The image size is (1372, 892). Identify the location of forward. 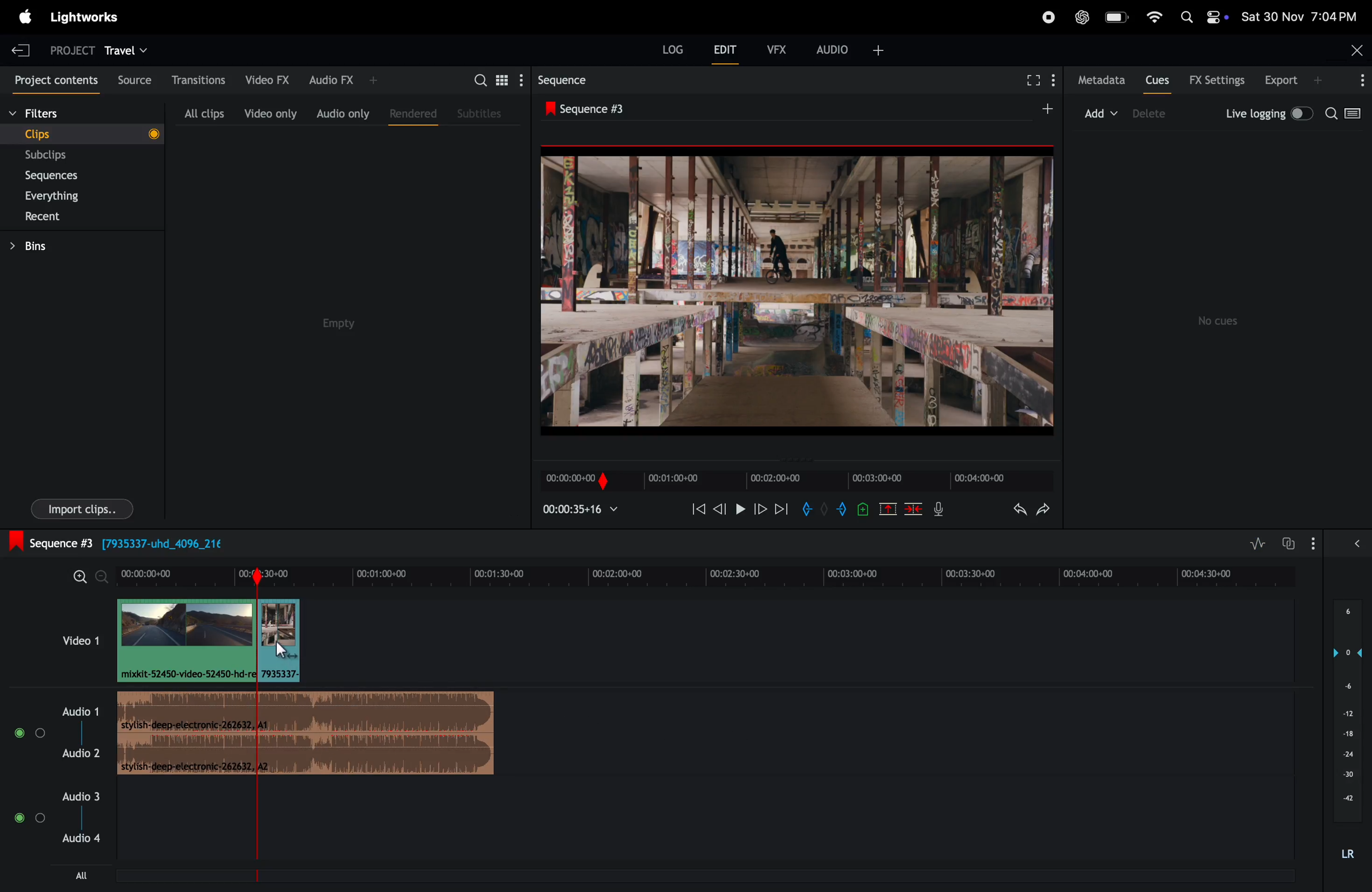
(760, 511).